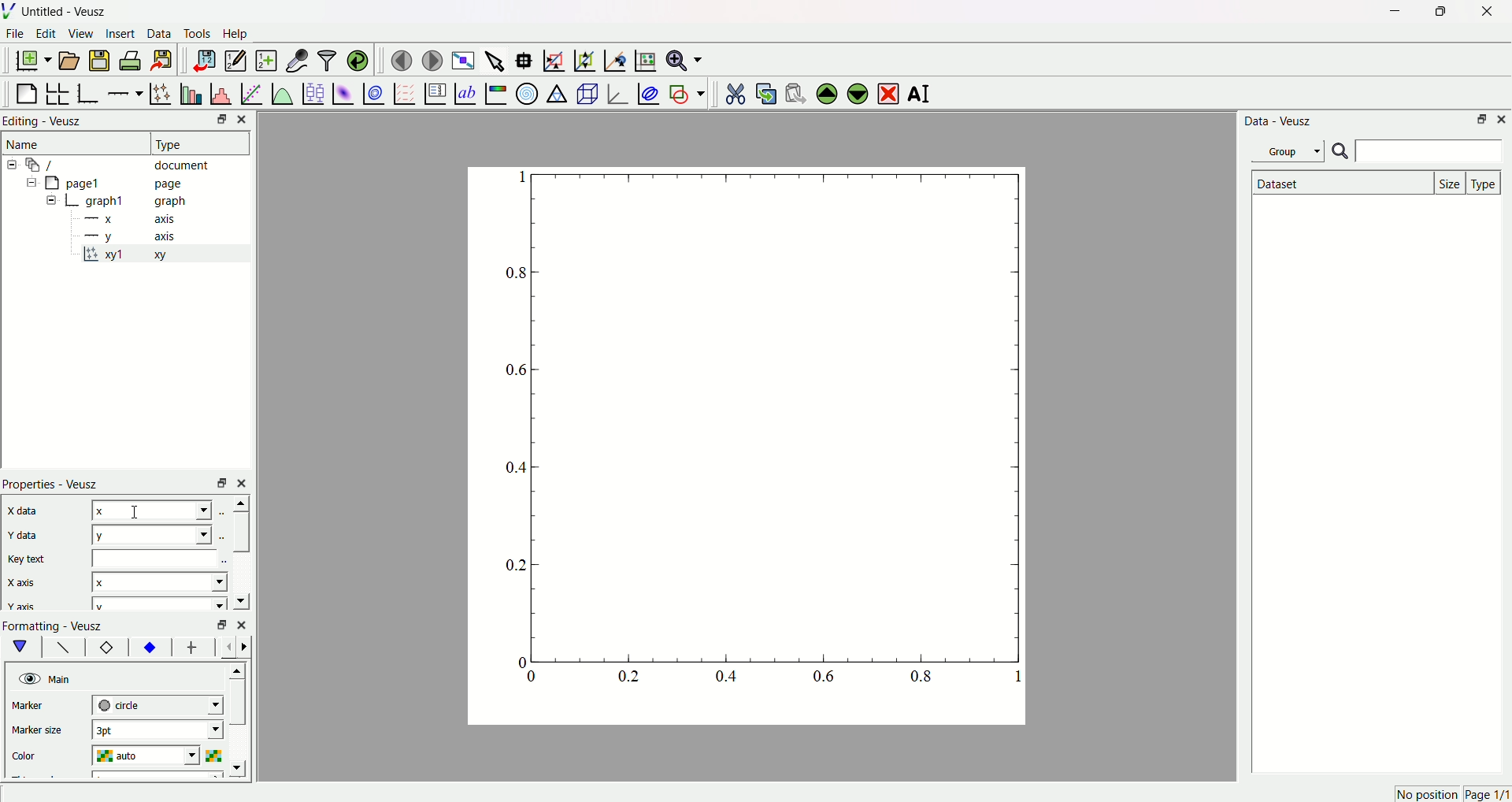 Image resolution: width=1512 pixels, height=802 pixels. What do you see at coordinates (156, 604) in the screenshot?
I see `y` at bounding box center [156, 604].